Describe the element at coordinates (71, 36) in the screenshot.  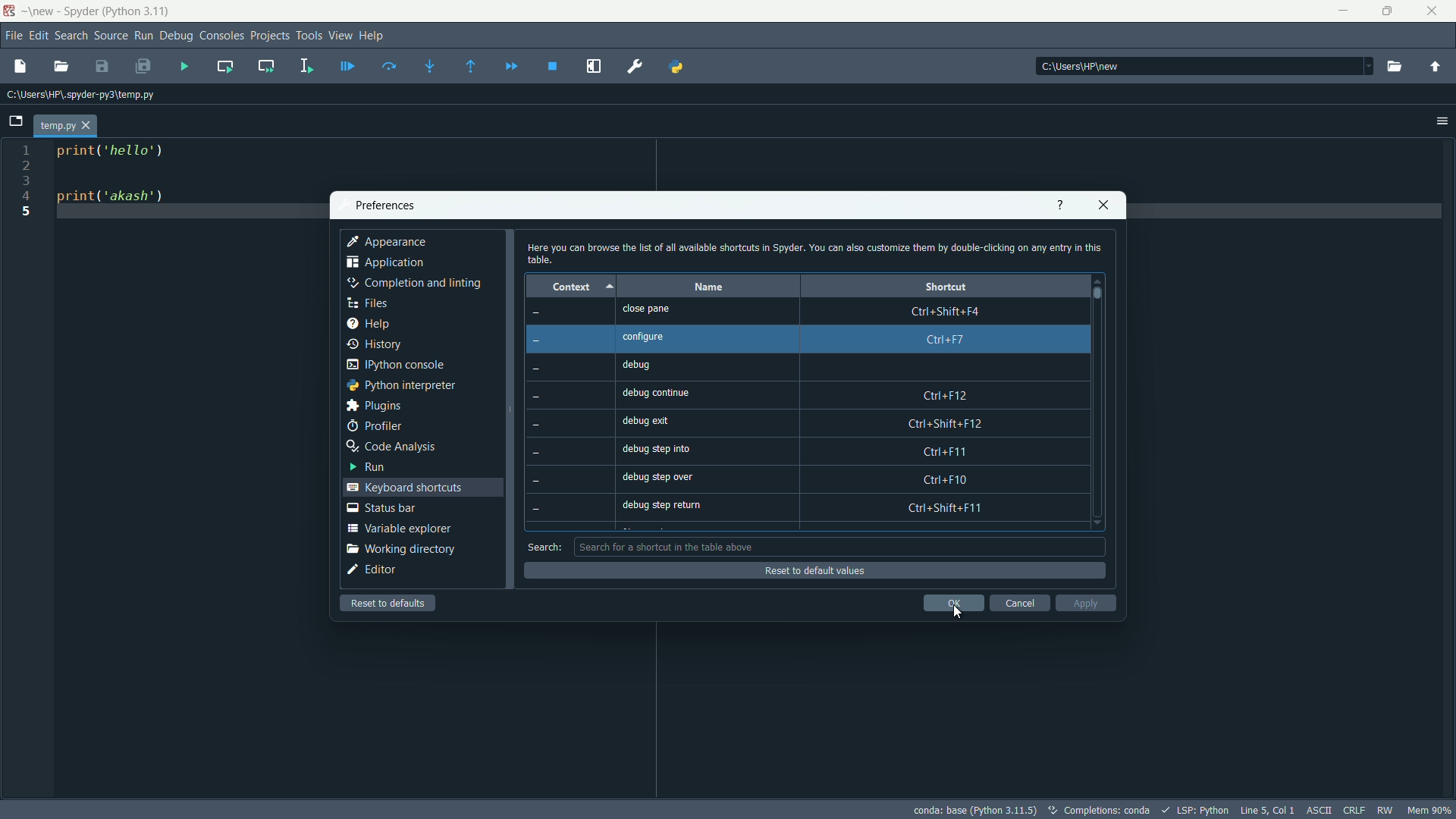
I see `search menu` at that location.